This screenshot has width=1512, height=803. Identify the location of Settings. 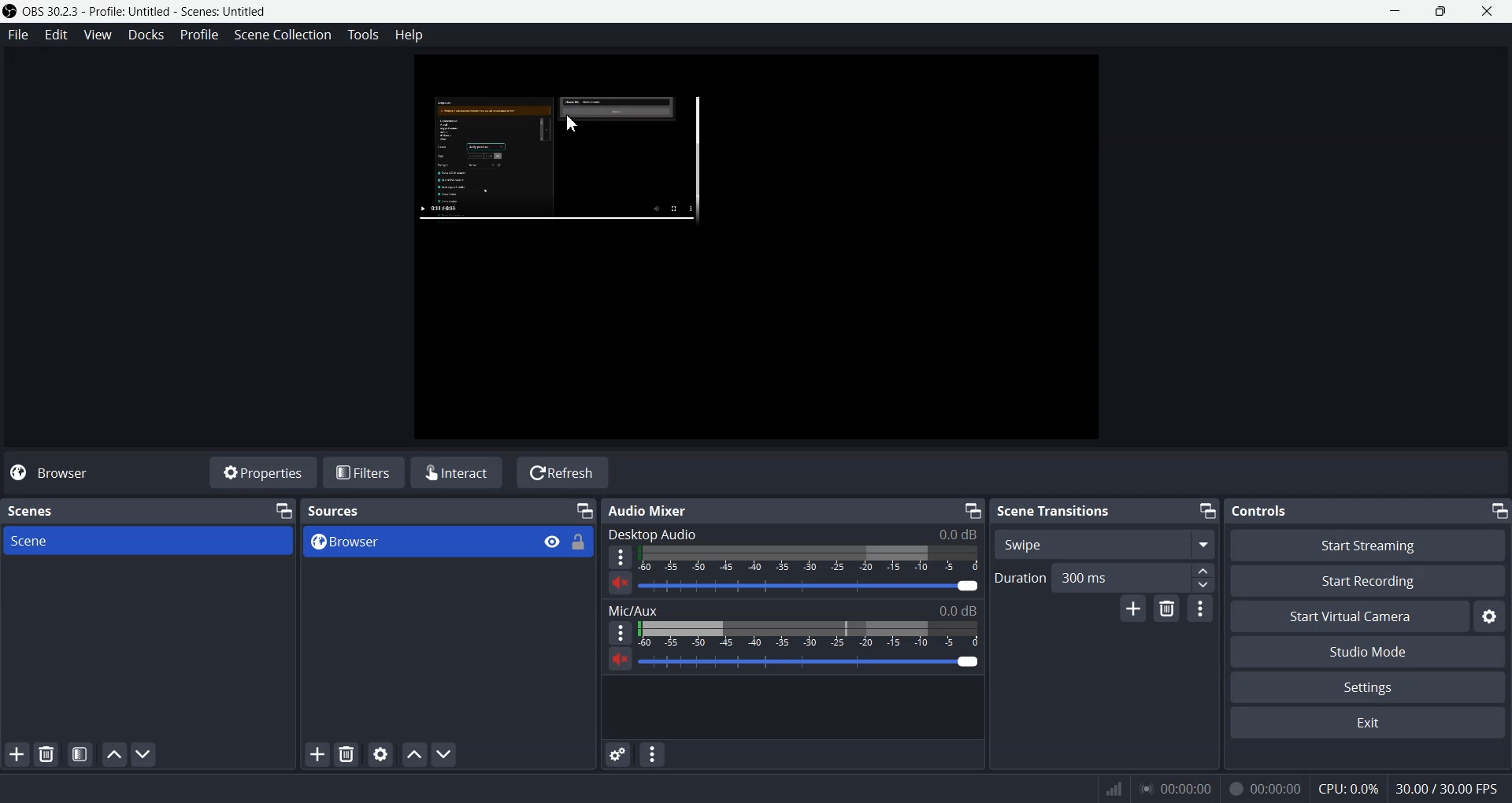
(1368, 686).